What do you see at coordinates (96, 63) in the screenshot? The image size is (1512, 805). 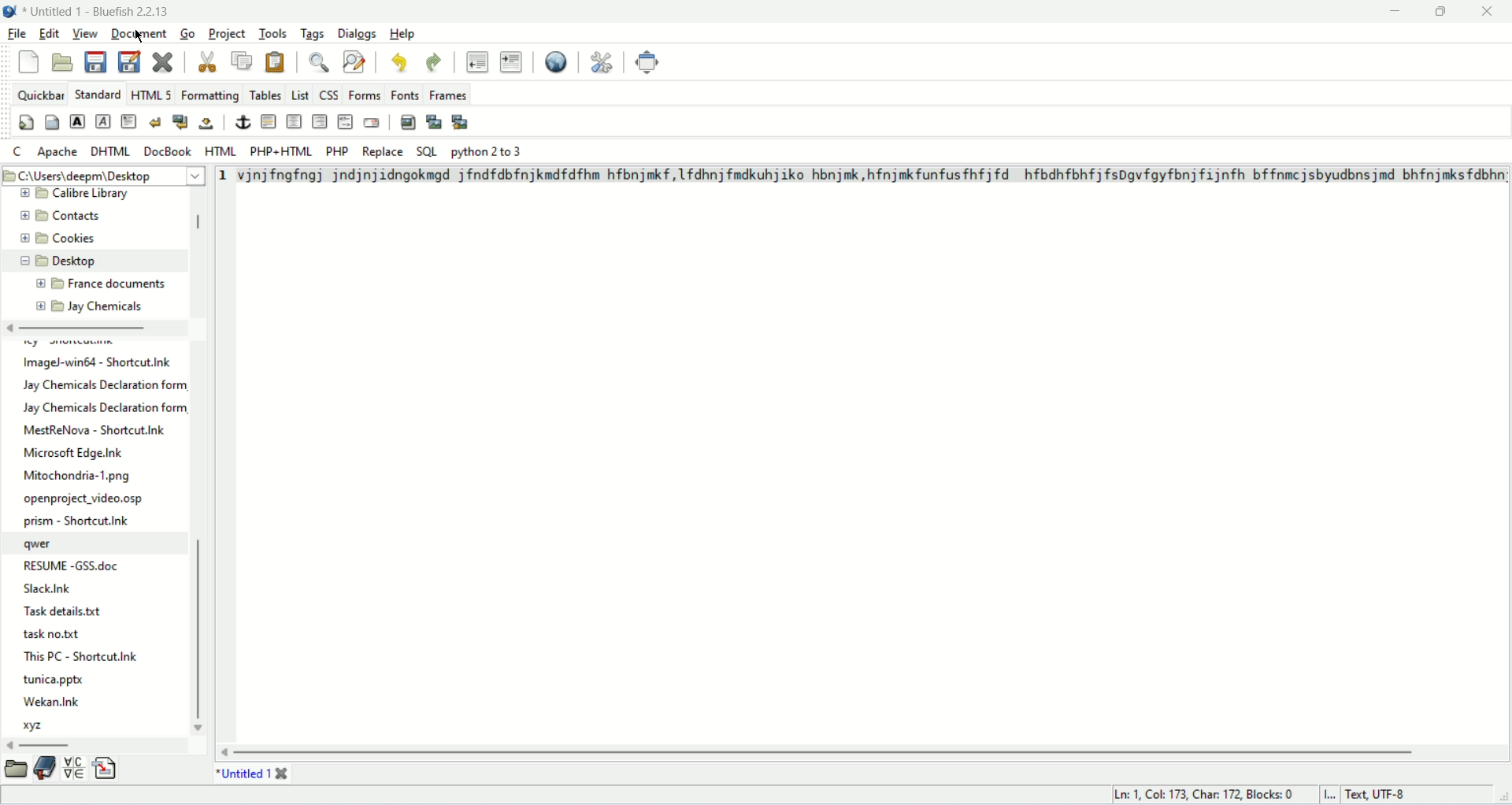 I see `save current file` at bounding box center [96, 63].